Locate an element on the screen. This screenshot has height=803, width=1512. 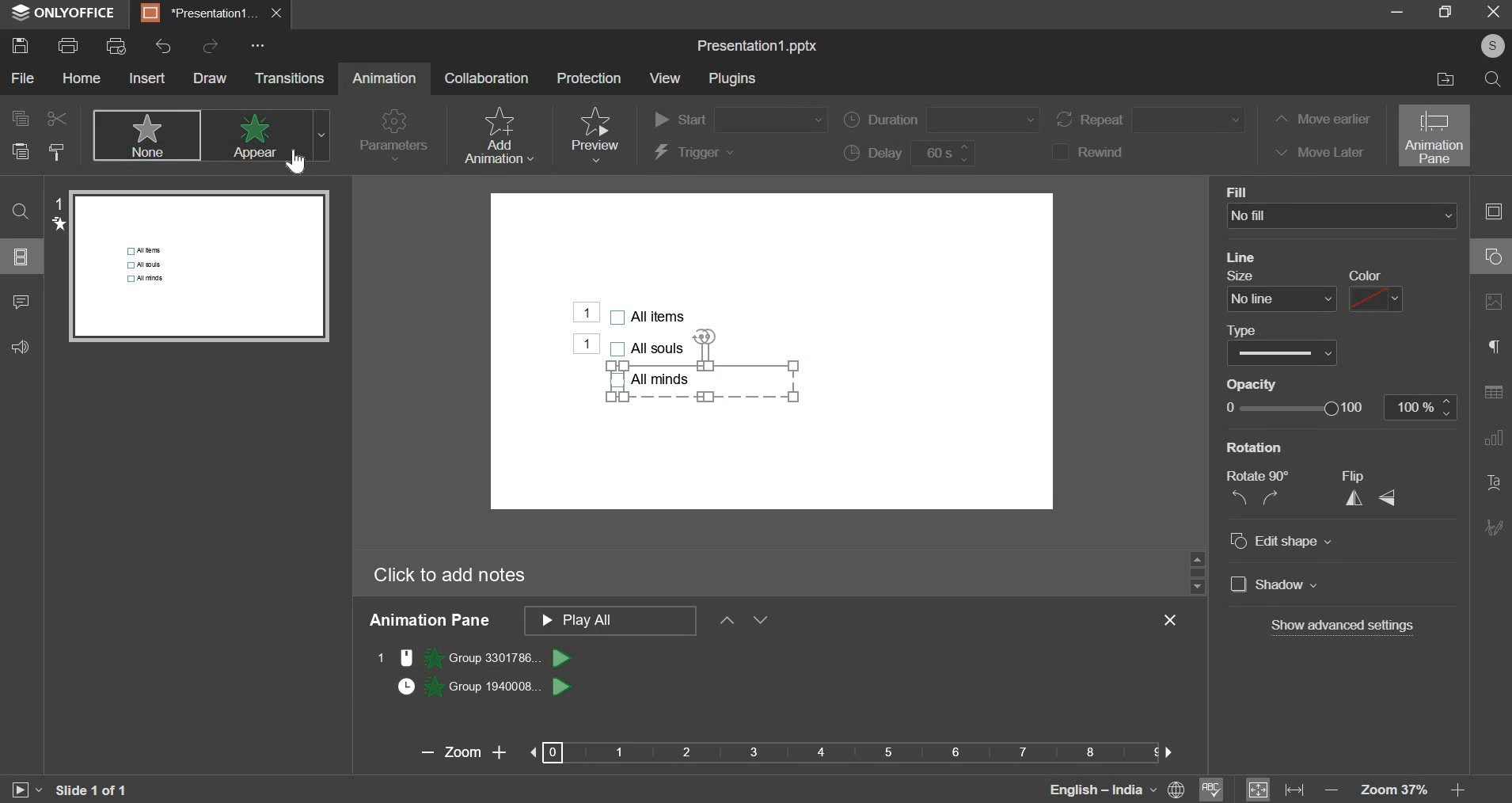
collaboration is located at coordinates (487, 77).